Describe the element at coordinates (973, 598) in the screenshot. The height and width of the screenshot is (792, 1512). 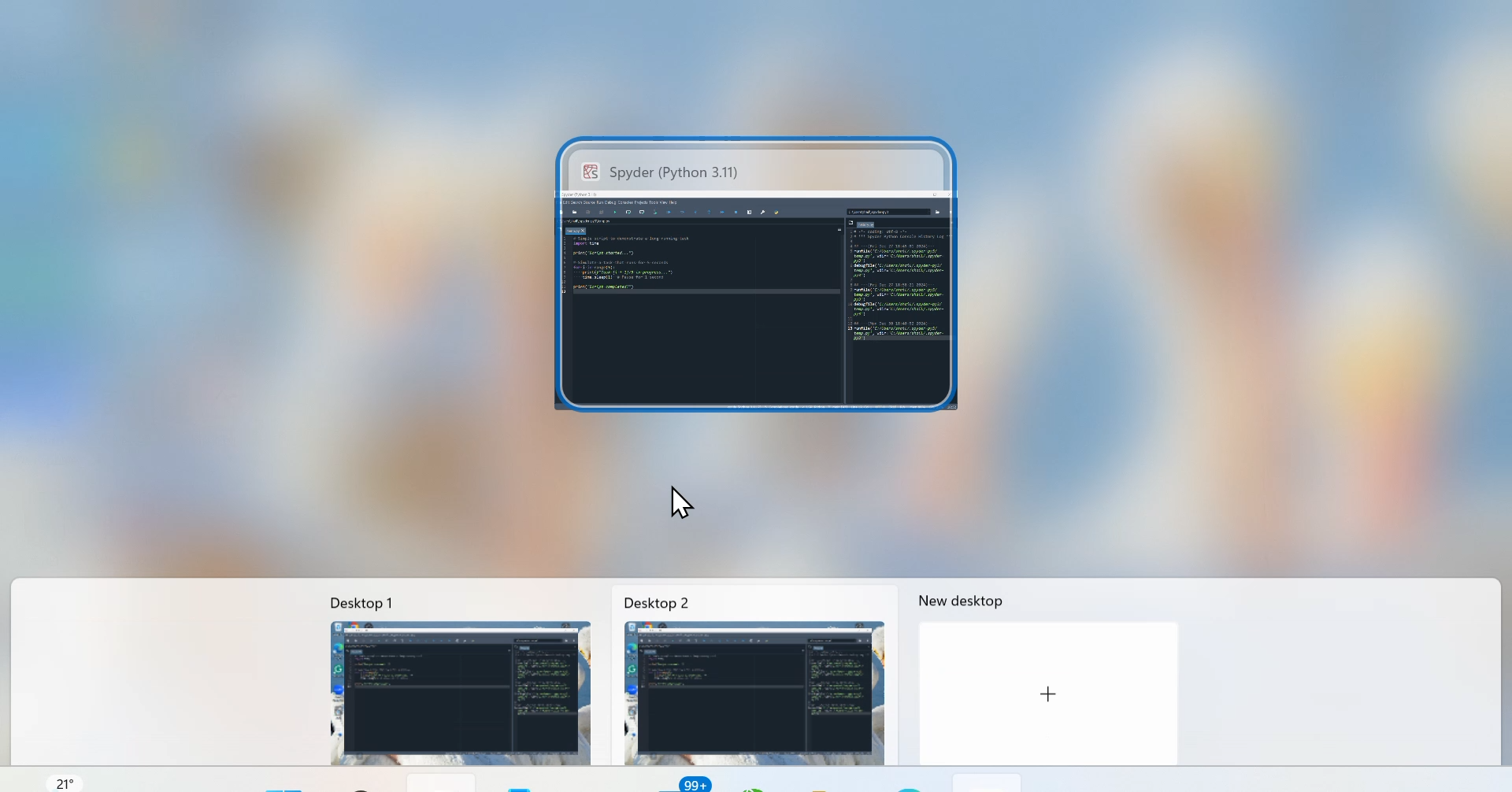
I see `New desktop` at that location.